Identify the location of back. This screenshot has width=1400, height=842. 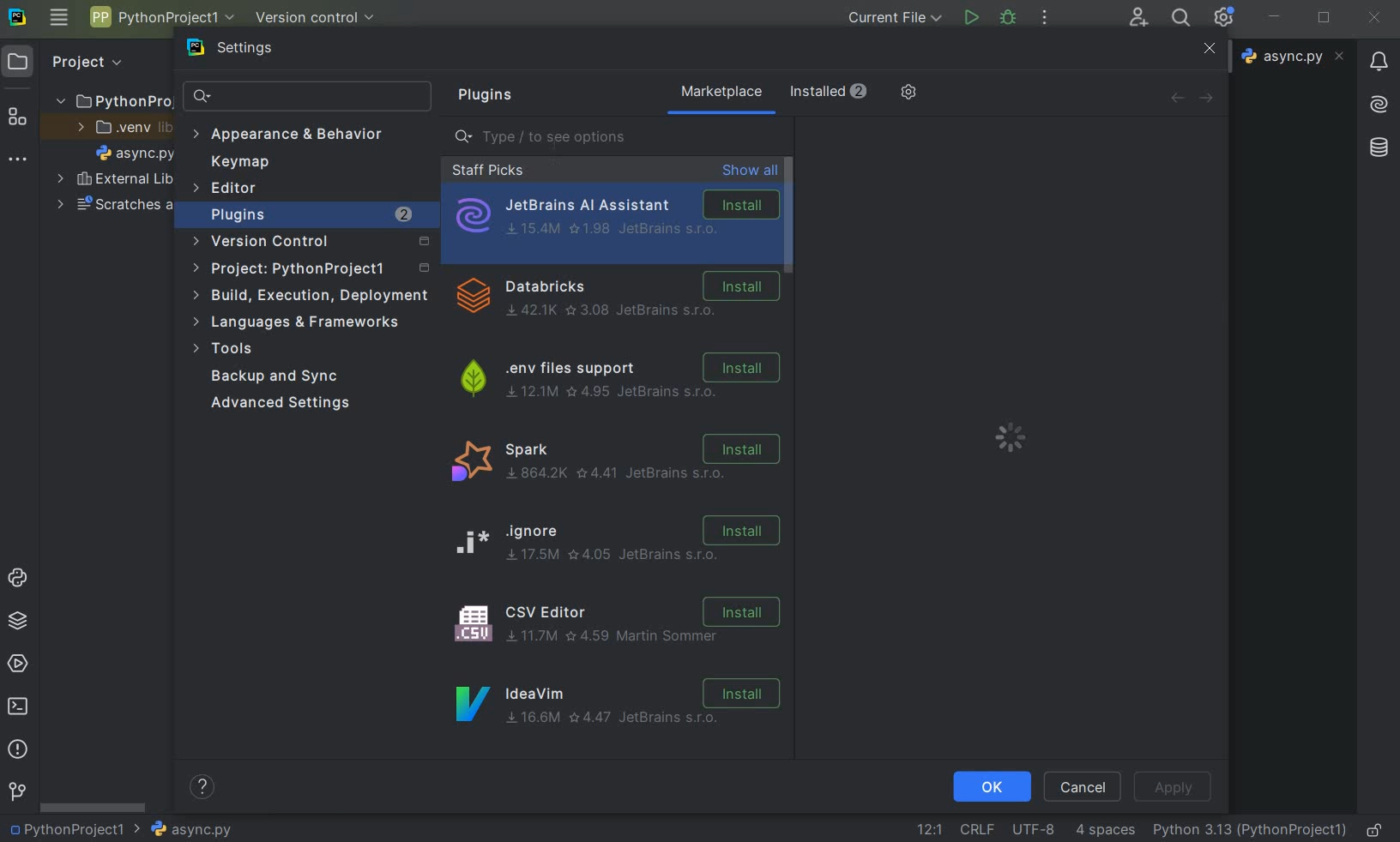
(1176, 98).